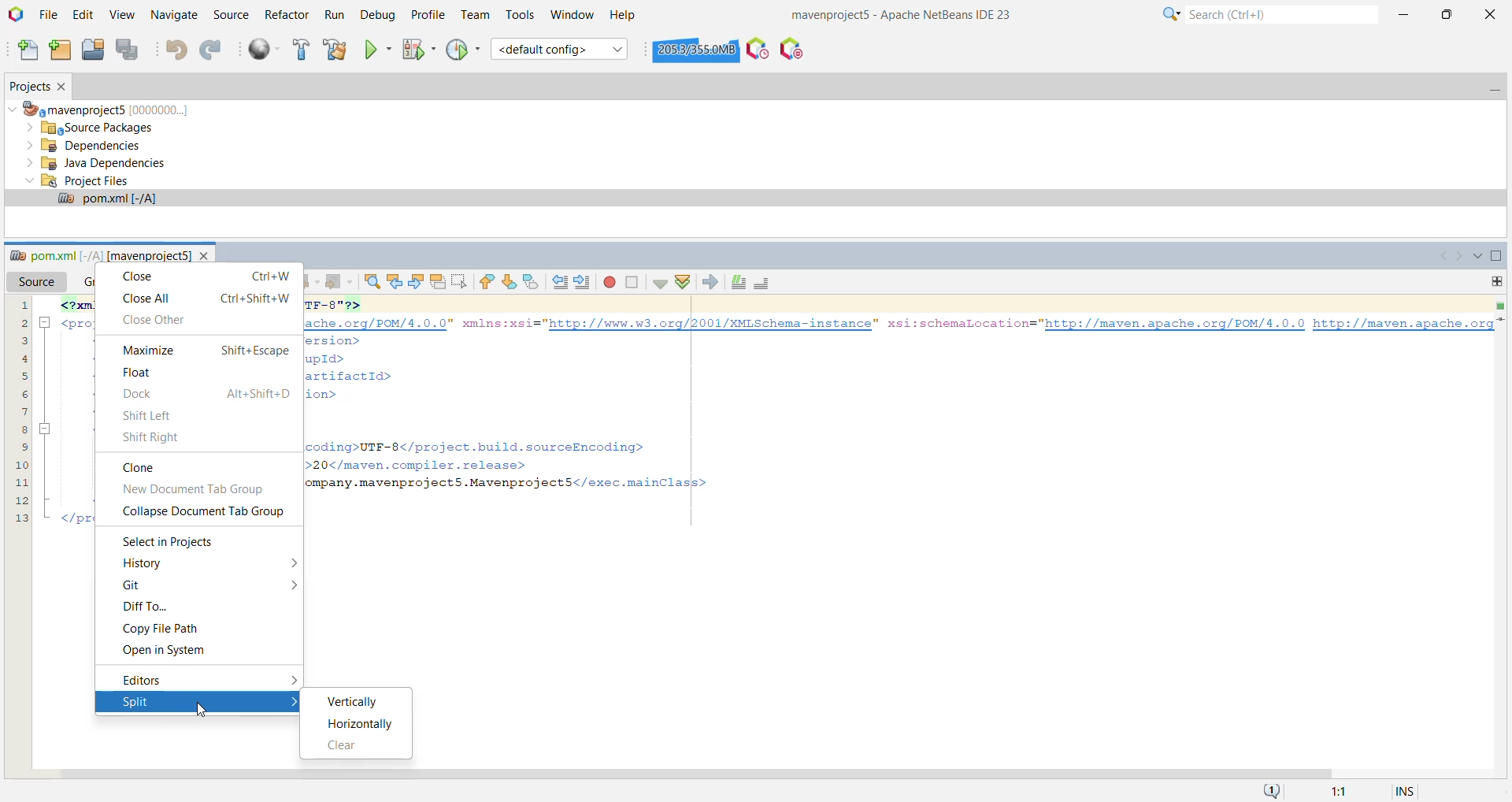 This screenshot has height=802, width=1512. I want to click on Team, so click(473, 15).